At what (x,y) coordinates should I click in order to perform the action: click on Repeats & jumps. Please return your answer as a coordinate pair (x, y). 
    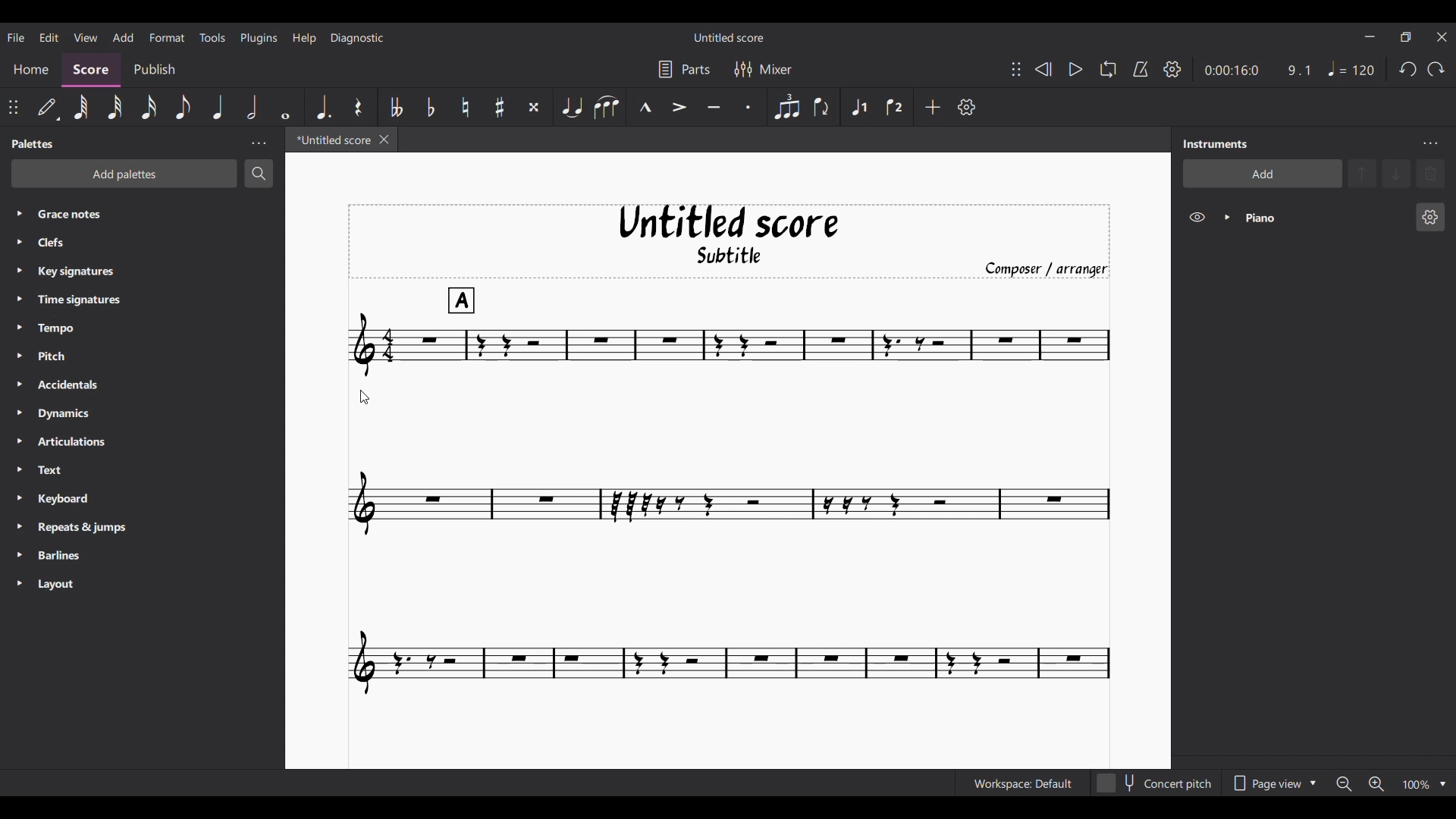
    Looking at the image, I should click on (89, 527).